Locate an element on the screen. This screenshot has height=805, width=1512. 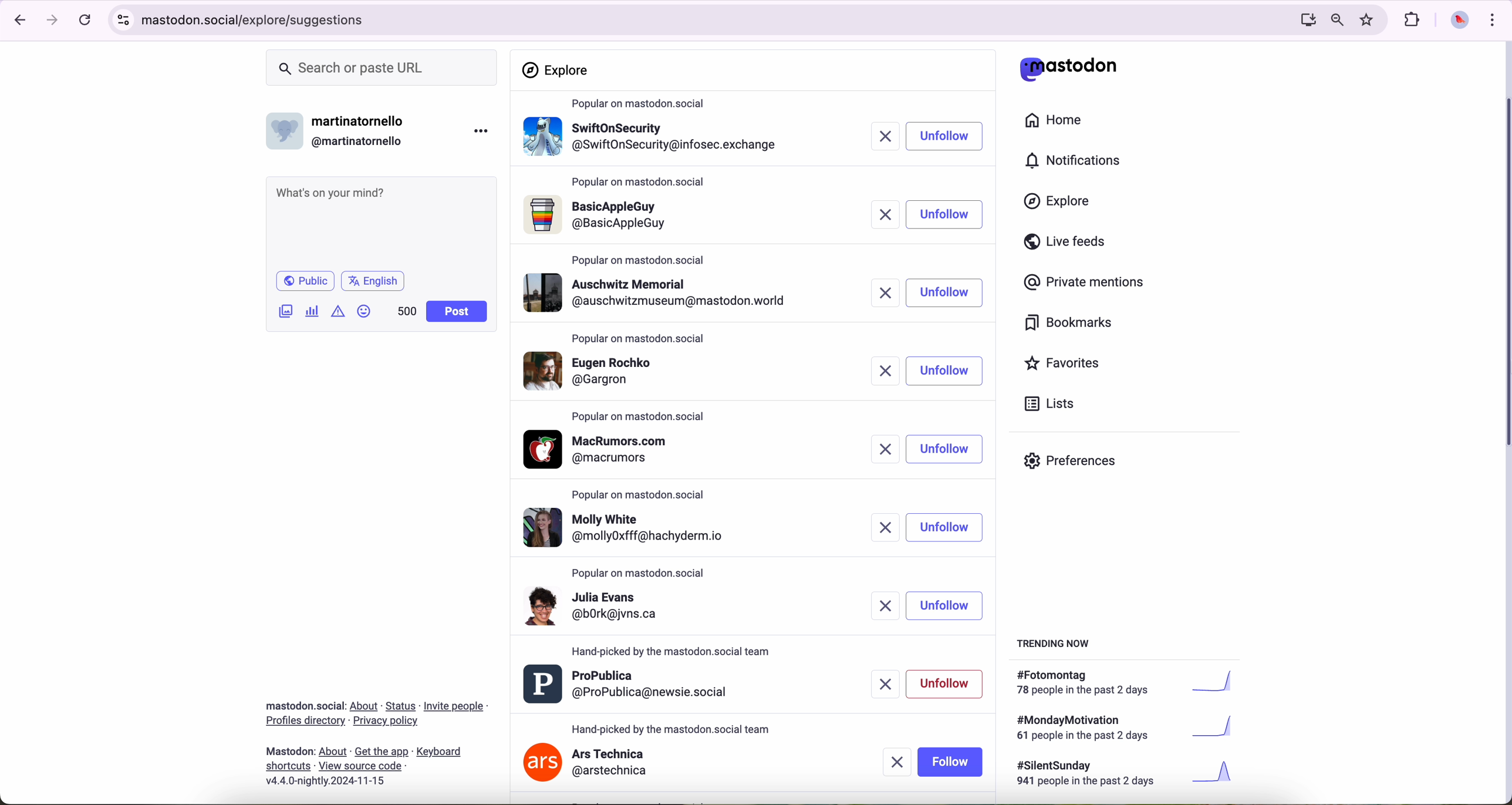
trending now is located at coordinates (1055, 642).